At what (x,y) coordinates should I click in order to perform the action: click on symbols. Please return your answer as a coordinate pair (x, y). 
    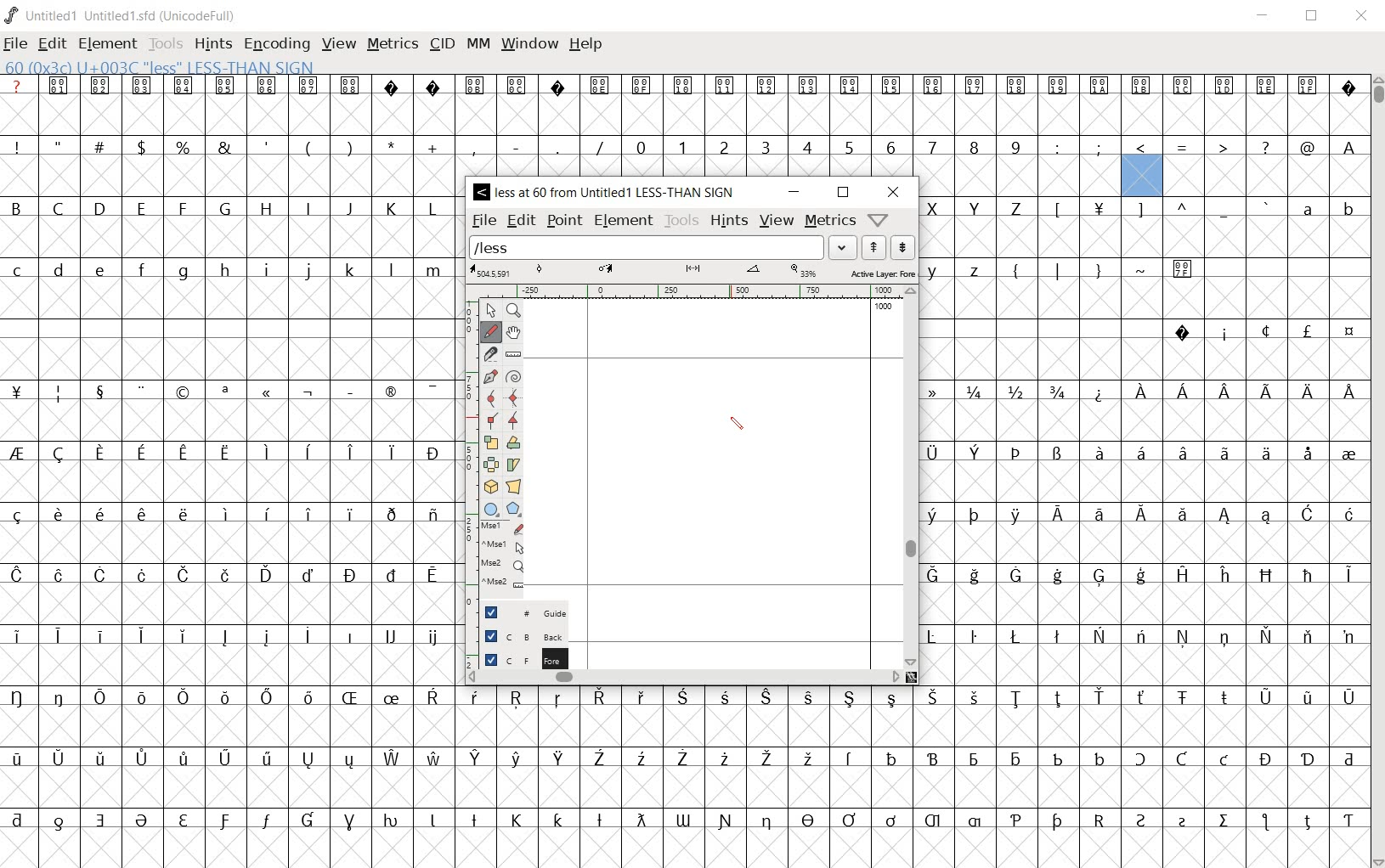
    Looking at the image, I should click on (309, 146).